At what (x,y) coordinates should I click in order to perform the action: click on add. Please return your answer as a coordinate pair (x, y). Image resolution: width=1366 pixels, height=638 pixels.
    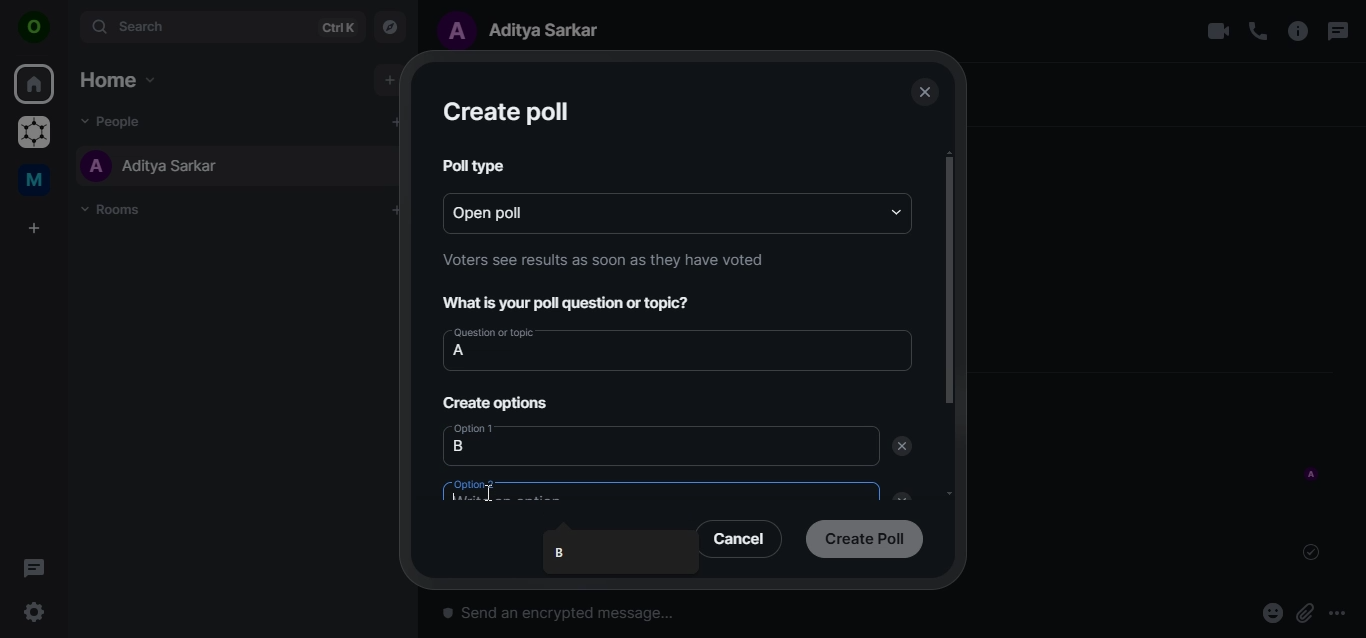
    Looking at the image, I should click on (388, 80).